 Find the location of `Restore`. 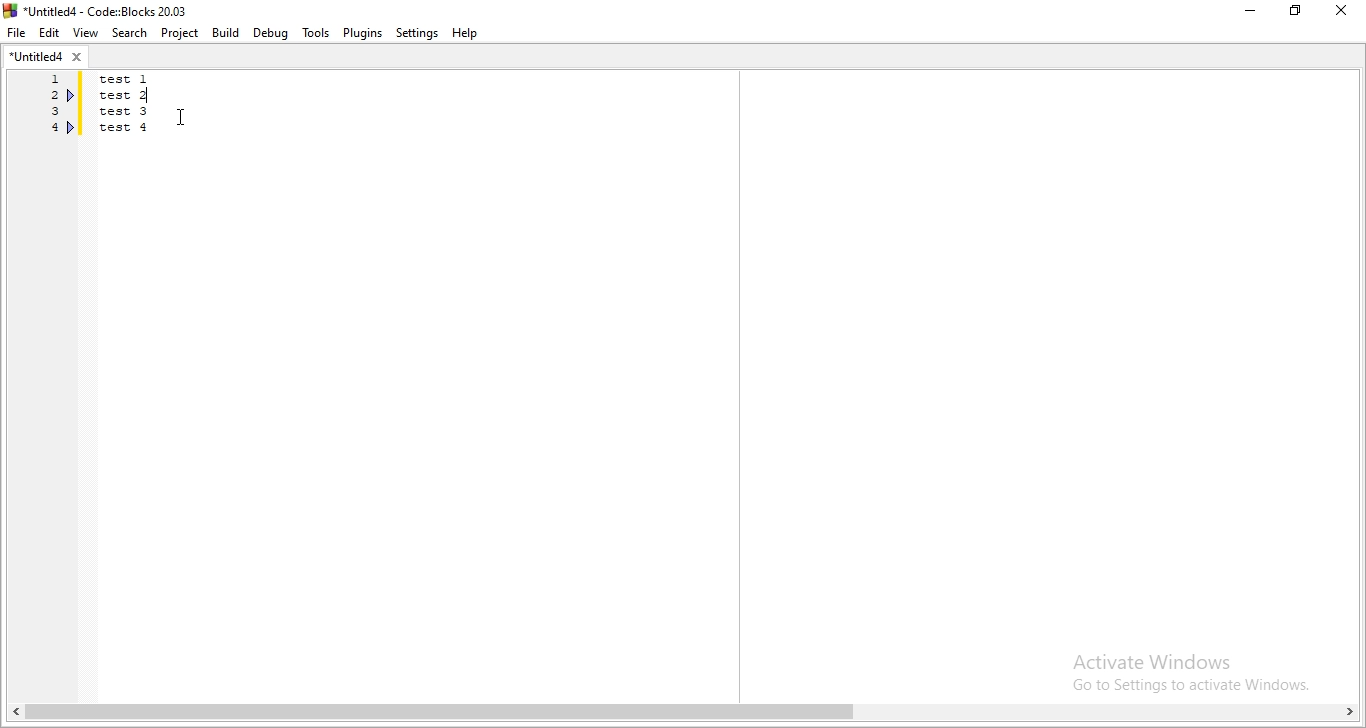

Restore is located at coordinates (1297, 14).